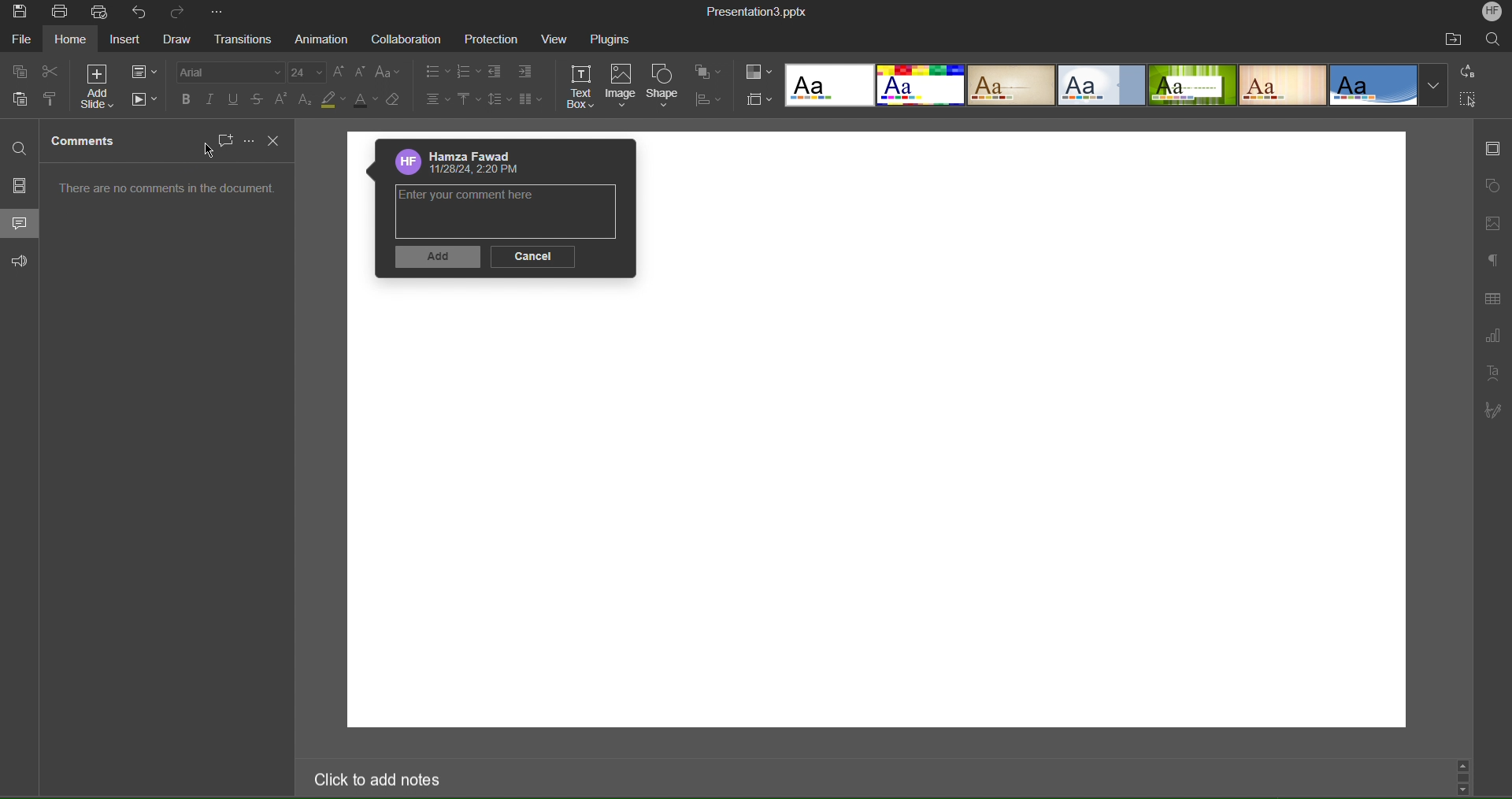  What do you see at coordinates (1494, 149) in the screenshot?
I see `Slide Settings` at bounding box center [1494, 149].